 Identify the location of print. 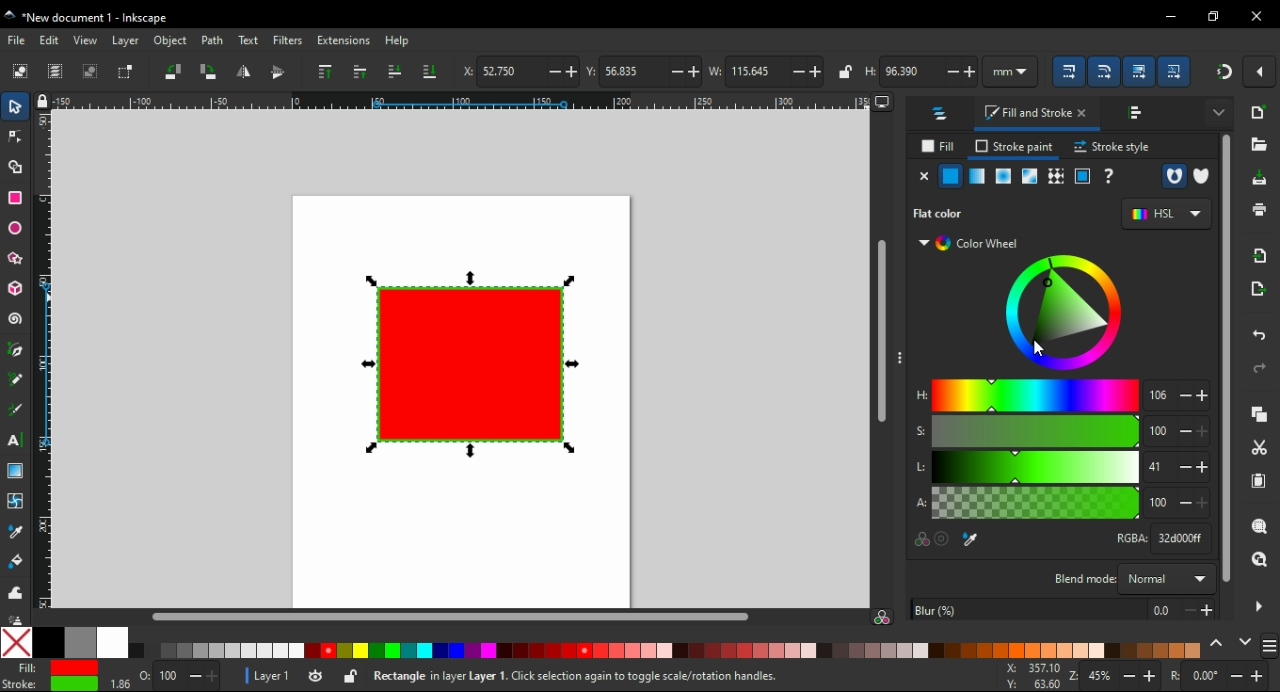
(1259, 210).